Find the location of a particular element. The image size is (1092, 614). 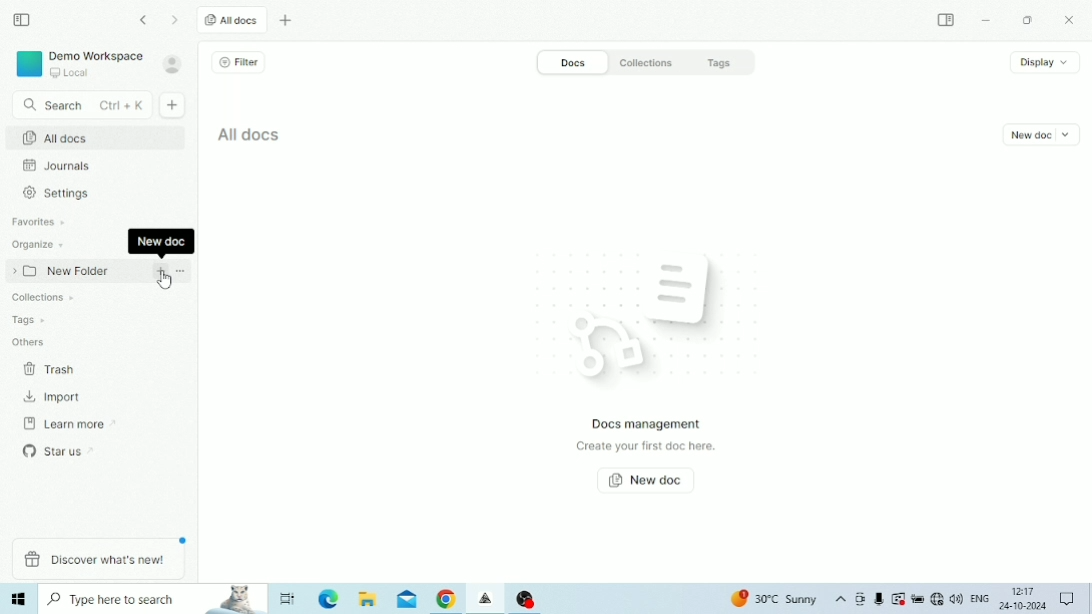

Demo Workspace is located at coordinates (79, 64).